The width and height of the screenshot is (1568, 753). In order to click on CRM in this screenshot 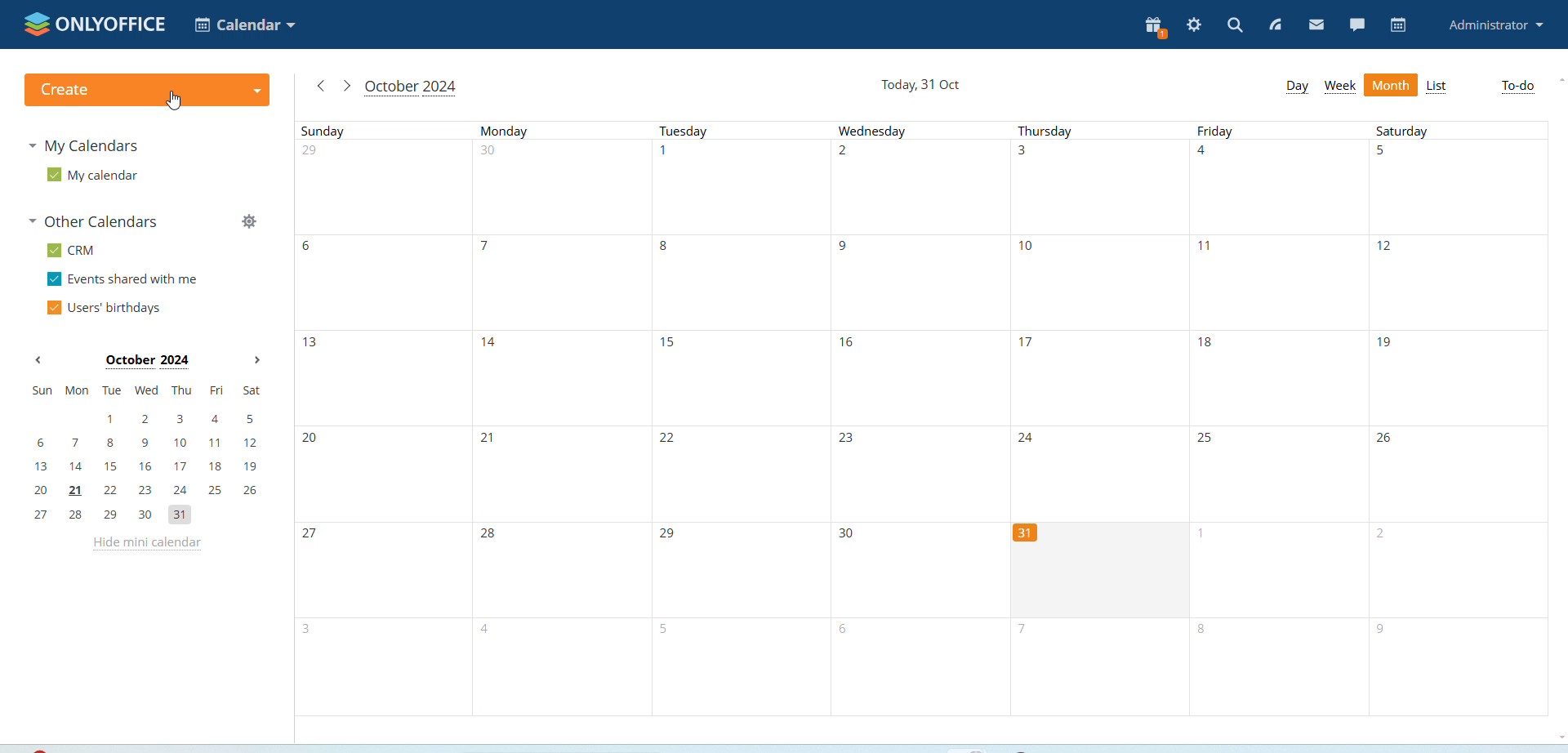, I will do `click(73, 250)`.